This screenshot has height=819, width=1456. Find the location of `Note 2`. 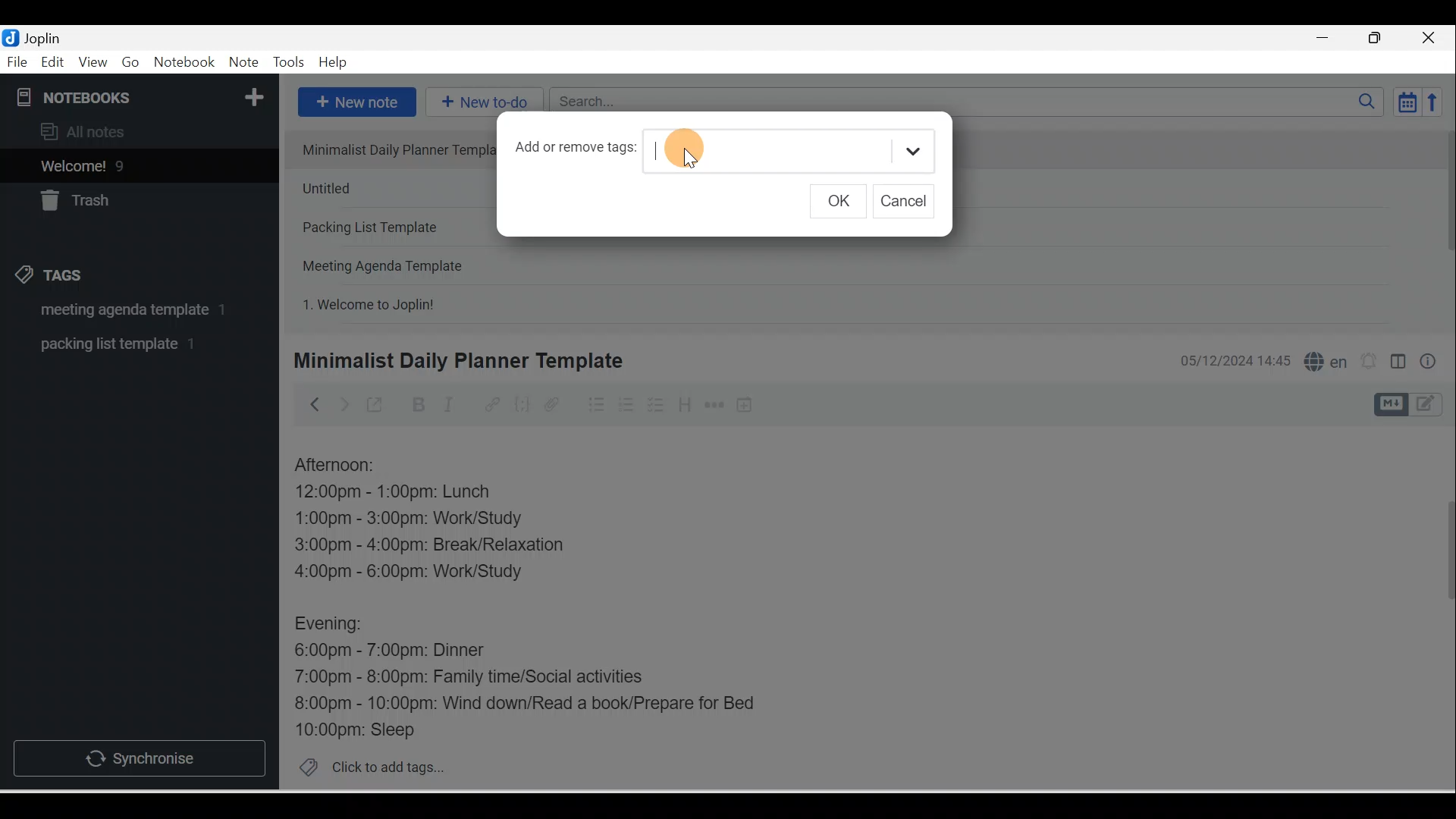

Note 2 is located at coordinates (390, 188).